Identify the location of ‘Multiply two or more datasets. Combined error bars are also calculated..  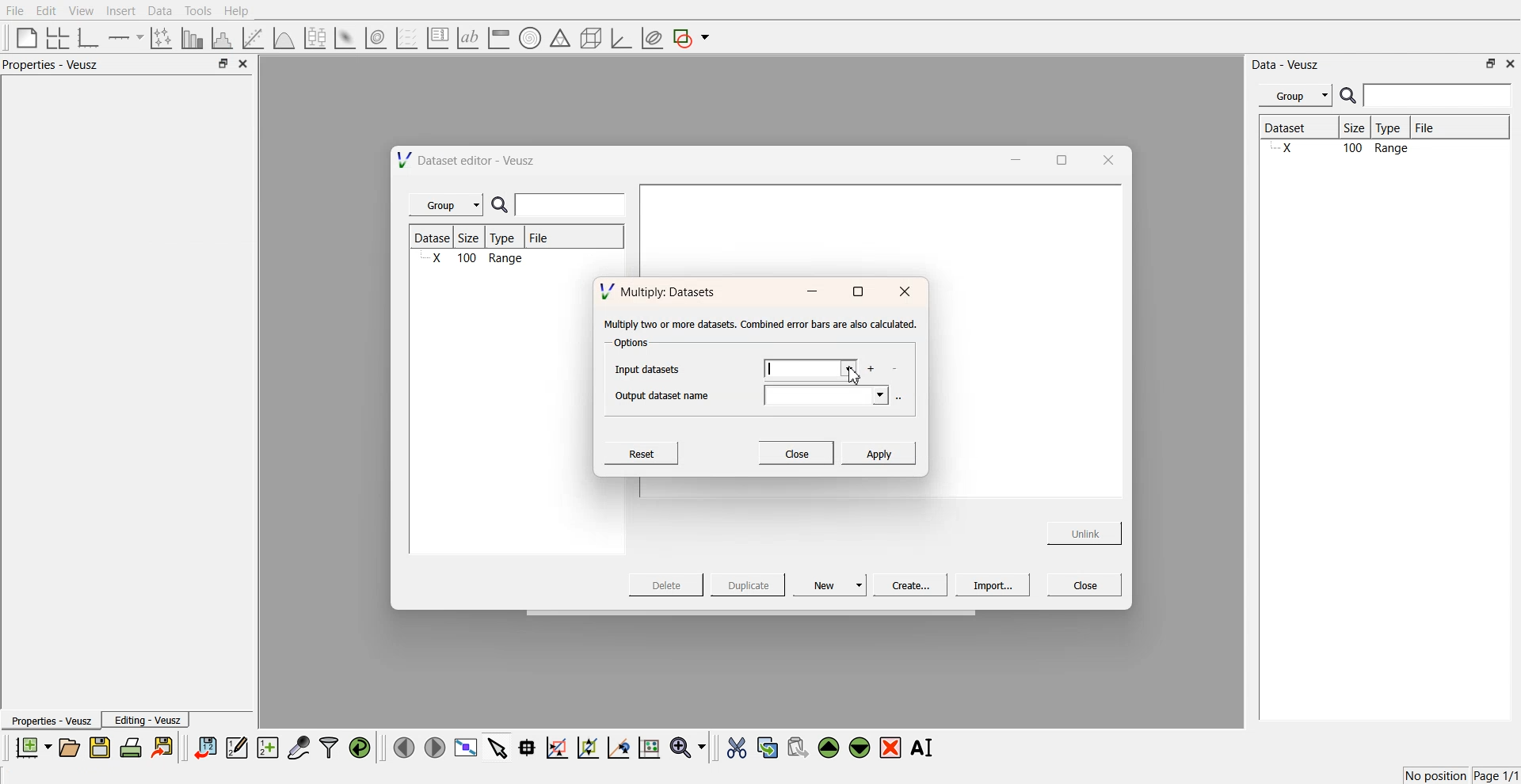
(760, 325).